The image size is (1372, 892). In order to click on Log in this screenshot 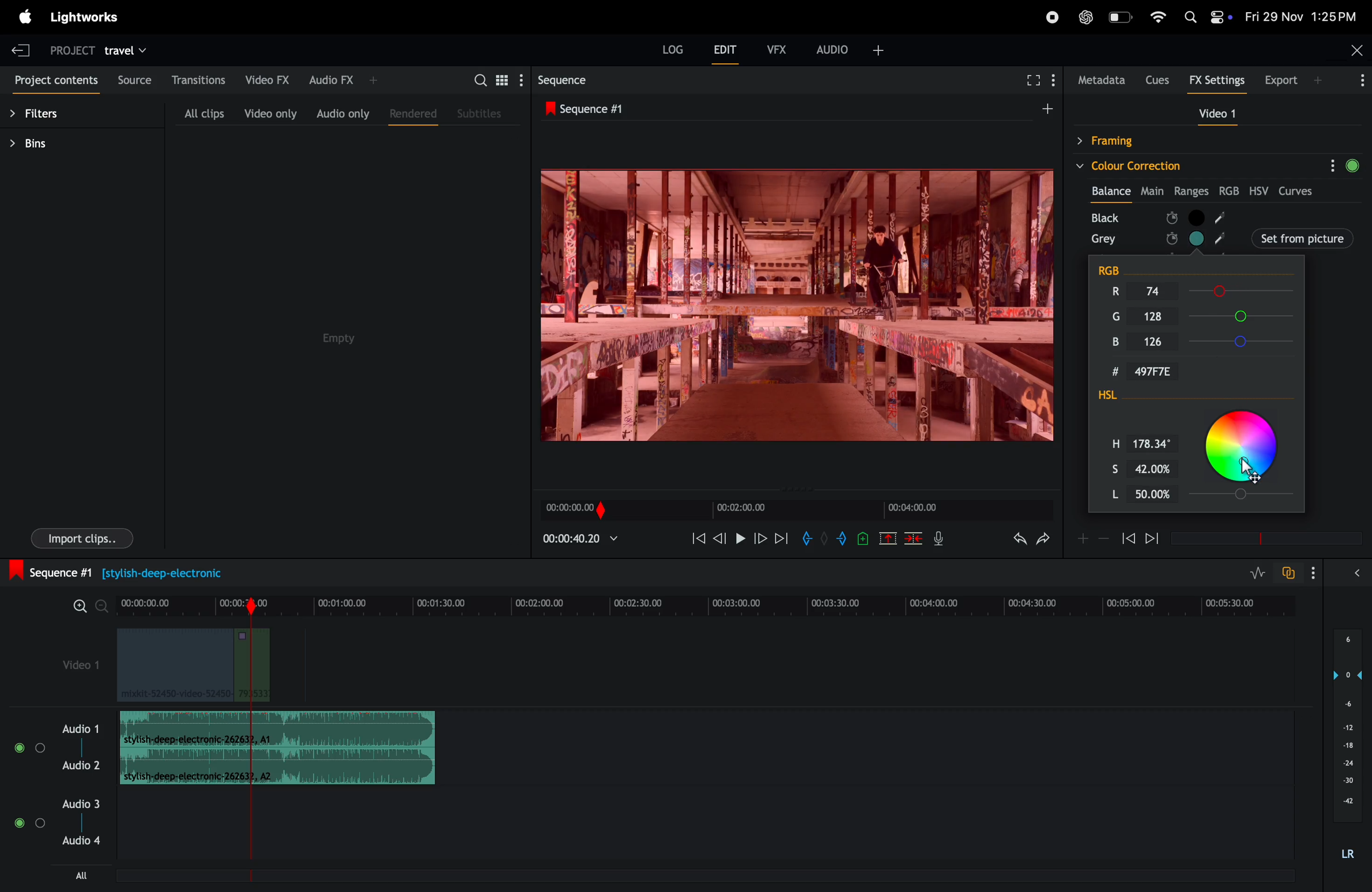, I will do `click(673, 49)`.